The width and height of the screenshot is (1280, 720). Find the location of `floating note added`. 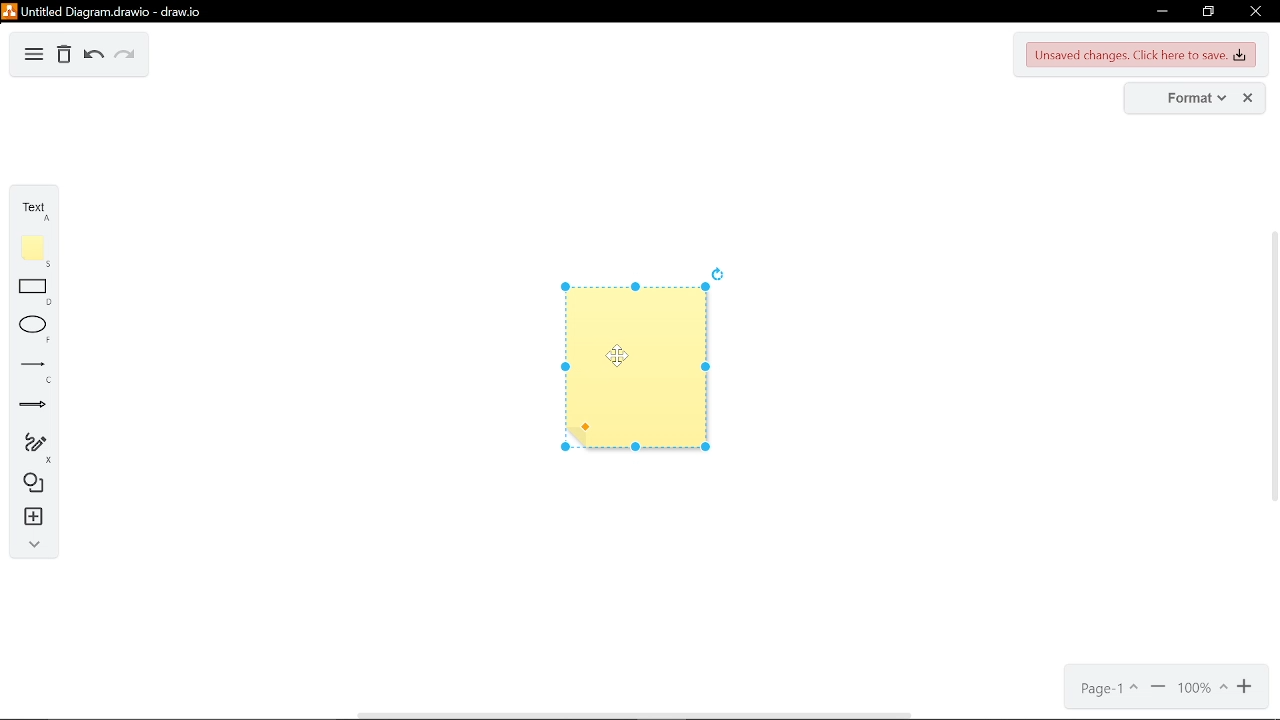

floating note added is located at coordinates (632, 367).